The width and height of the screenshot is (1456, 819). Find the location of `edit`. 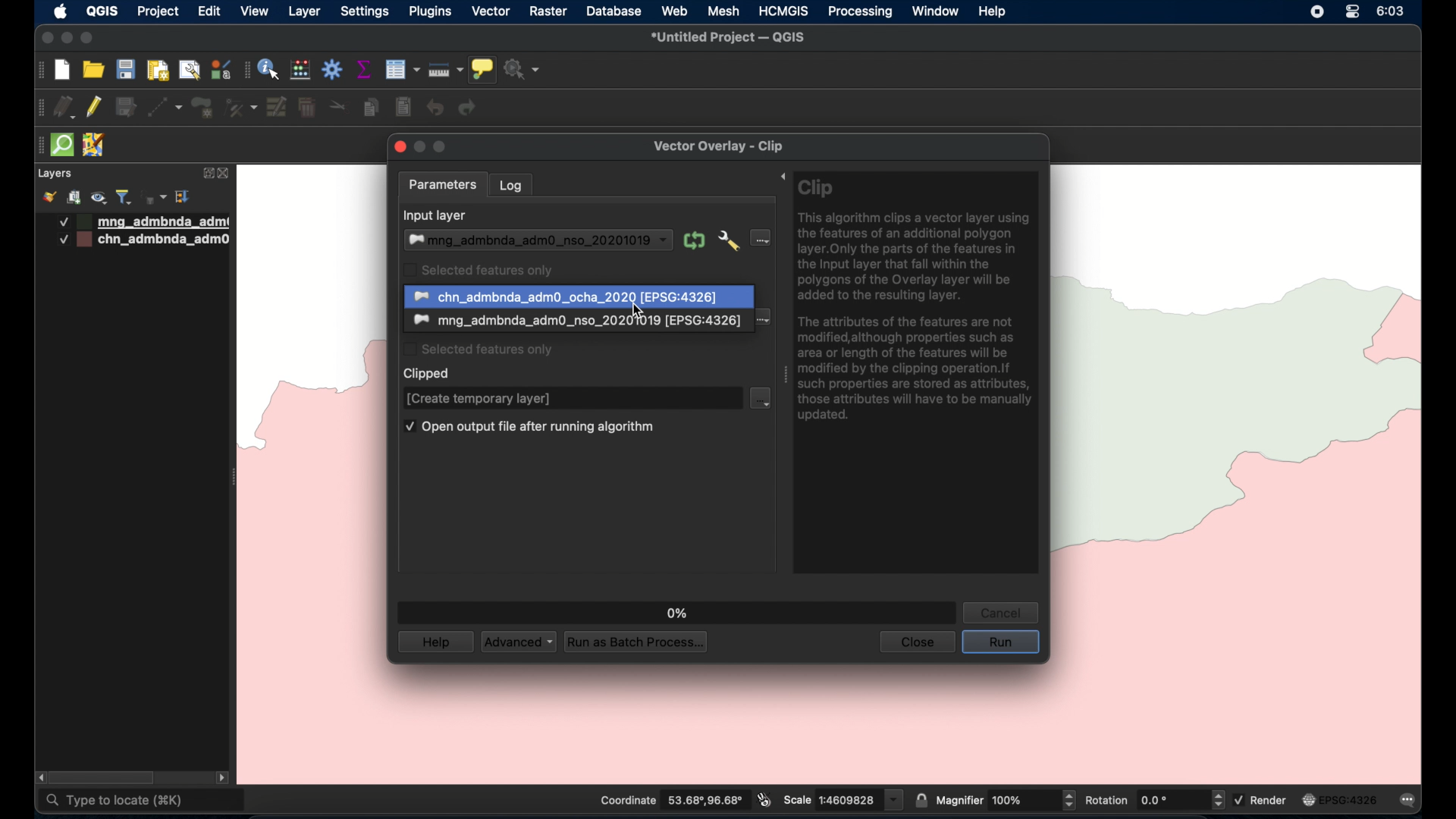

edit is located at coordinates (209, 11).